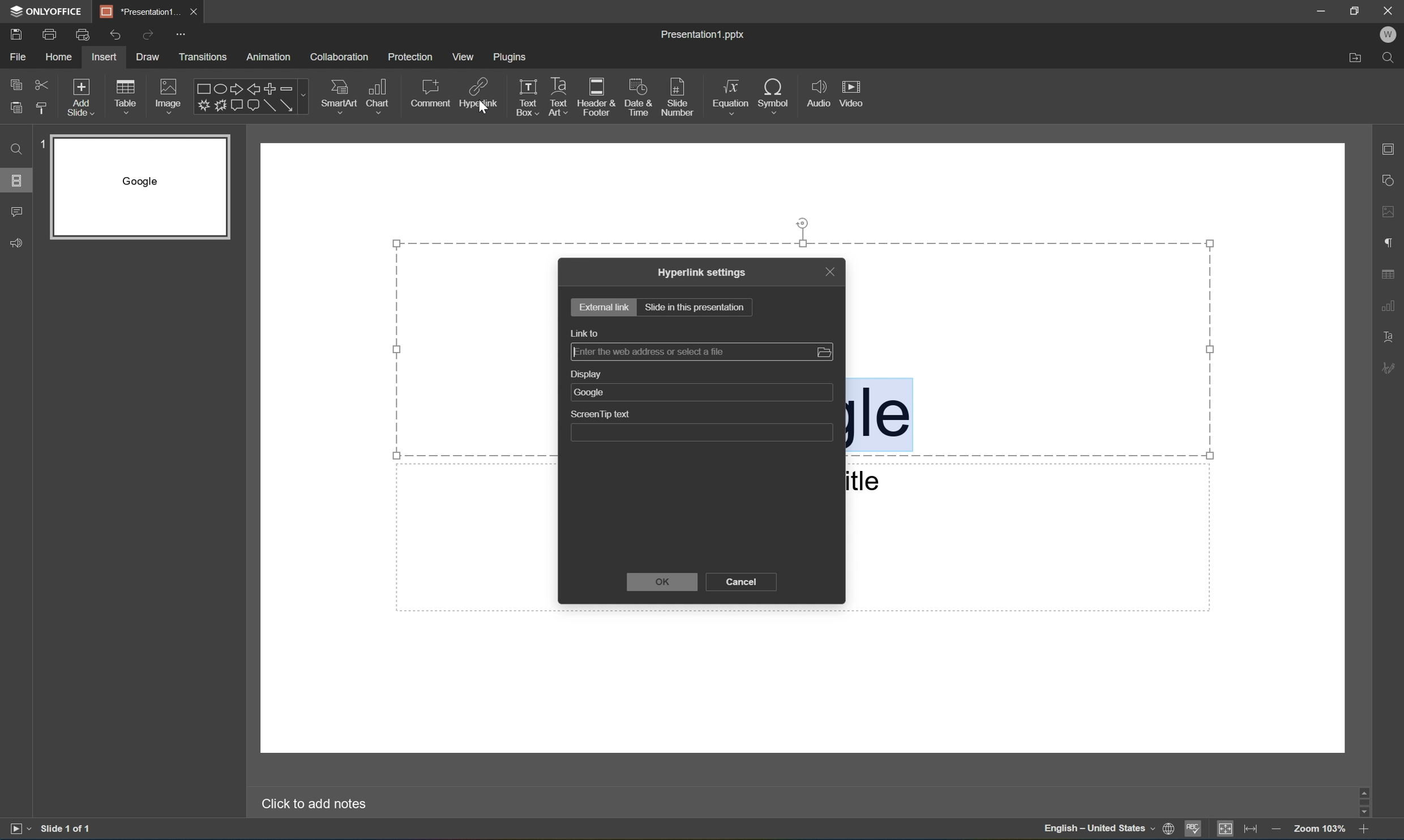  Describe the element at coordinates (22, 55) in the screenshot. I see `File` at that location.